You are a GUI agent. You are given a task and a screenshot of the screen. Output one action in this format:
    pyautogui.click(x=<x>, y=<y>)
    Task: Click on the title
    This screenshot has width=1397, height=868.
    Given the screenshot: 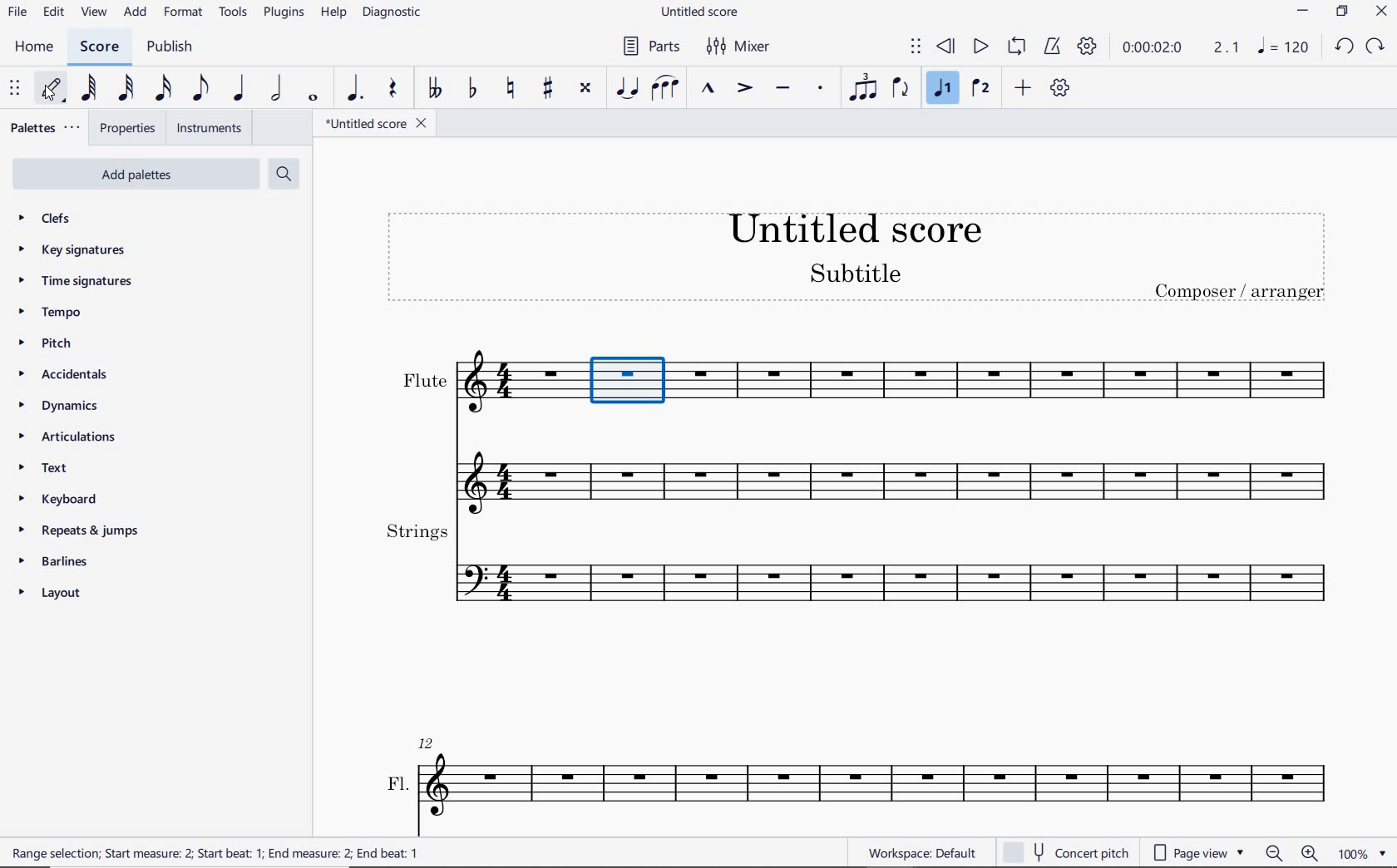 What is the action you would take?
    pyautogui.click(x=857, y=258)
    